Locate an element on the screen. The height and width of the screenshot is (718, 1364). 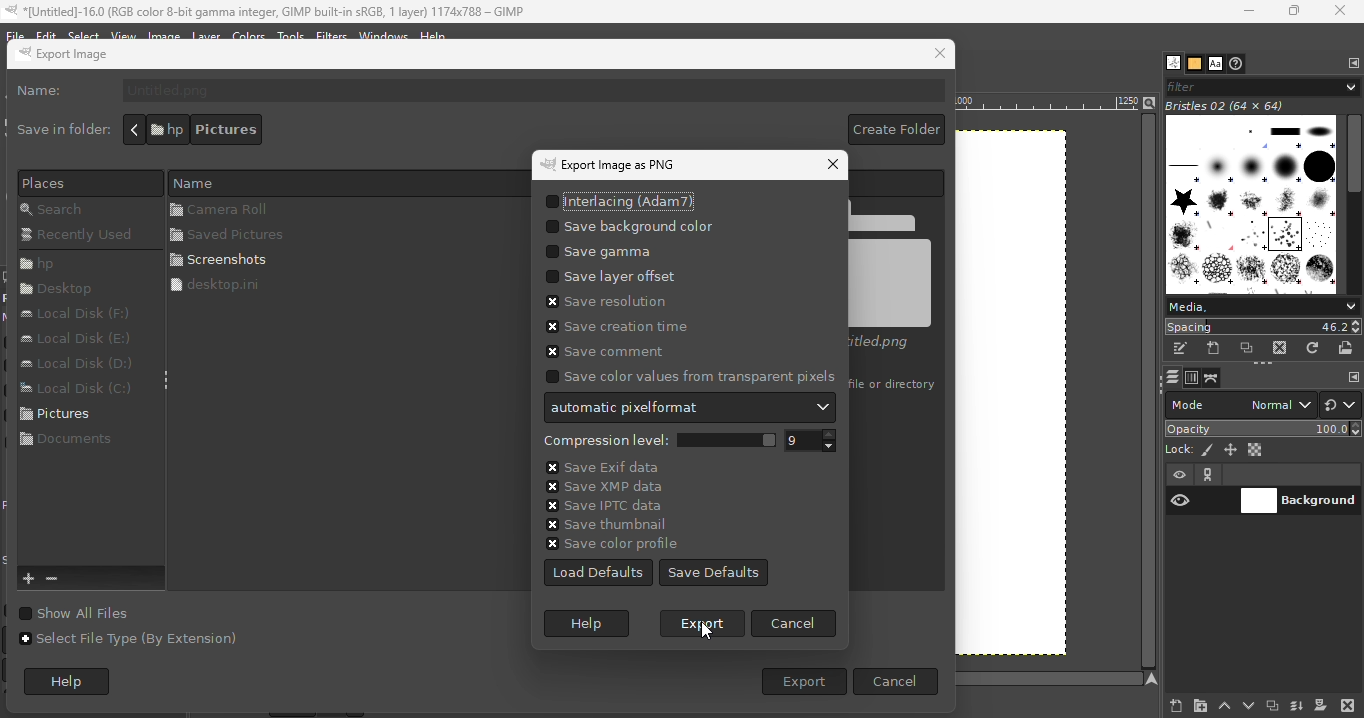
Fonts is located at coordinates (1215, 64).